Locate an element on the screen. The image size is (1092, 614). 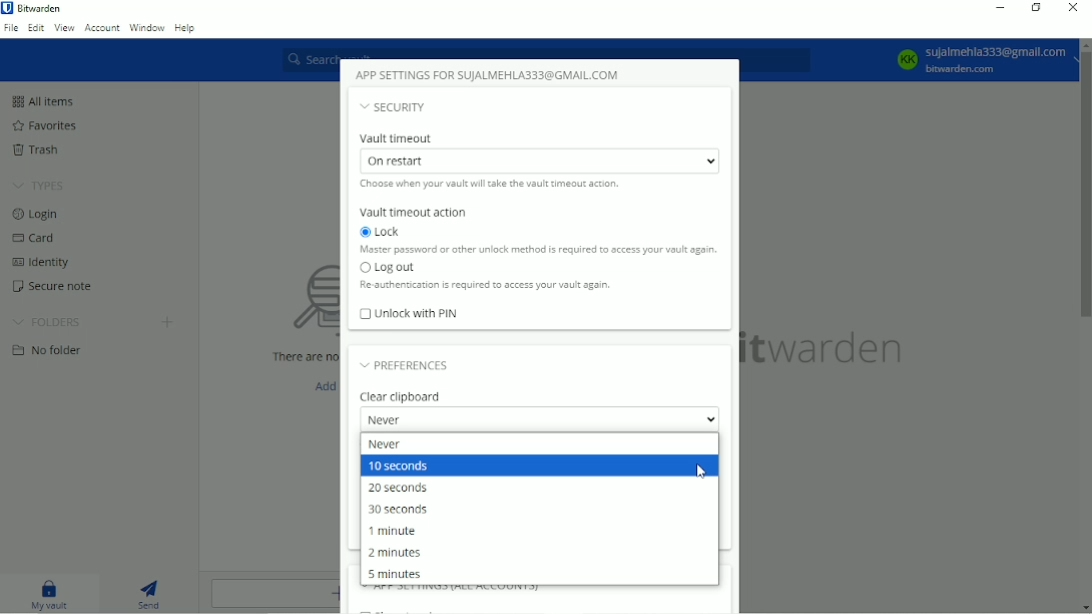
Account is located at coordinates (980, 61).